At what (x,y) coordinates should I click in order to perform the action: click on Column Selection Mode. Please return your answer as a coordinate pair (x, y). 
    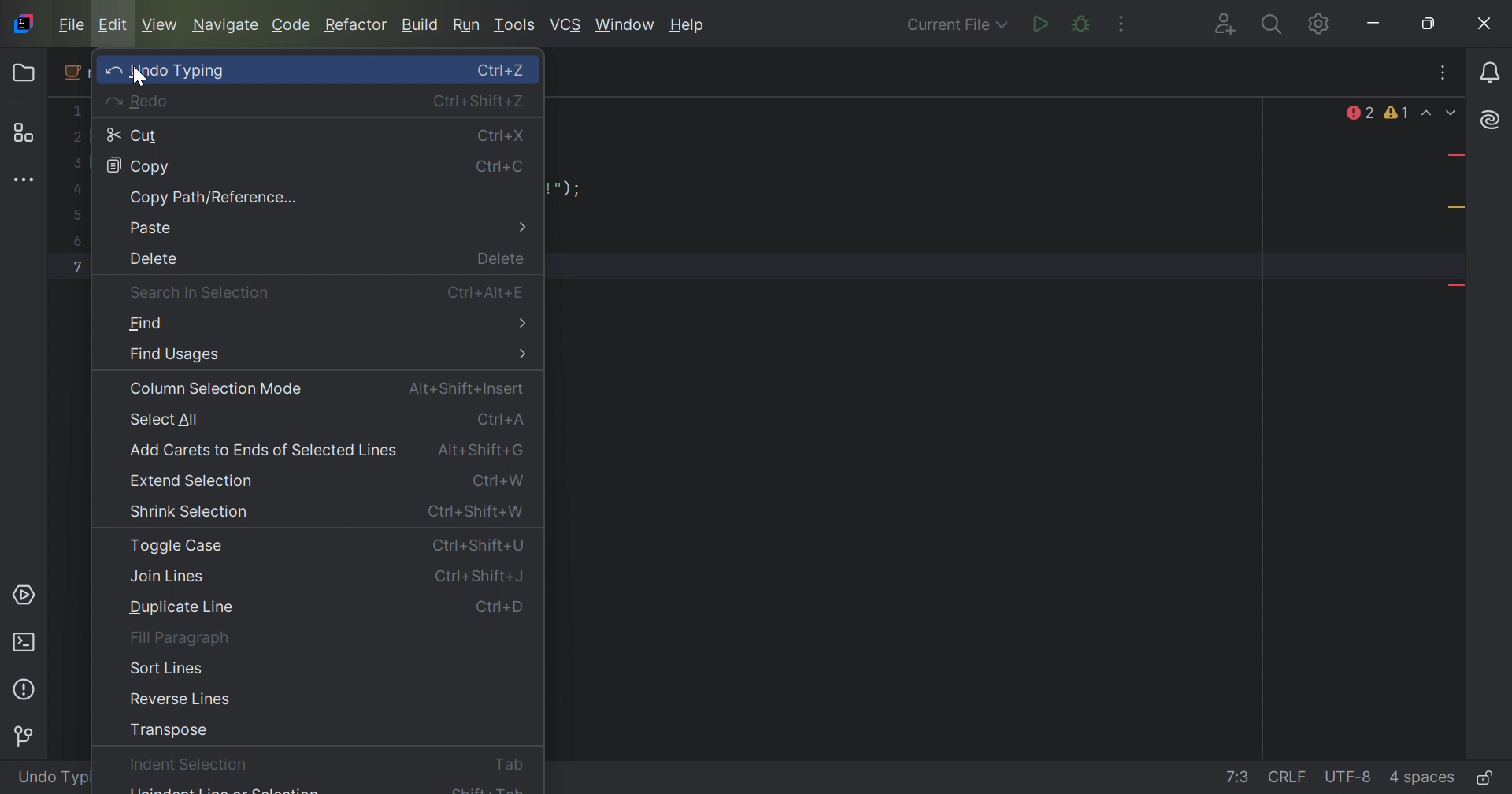
    Looking at the image, I should click on (217, 388).